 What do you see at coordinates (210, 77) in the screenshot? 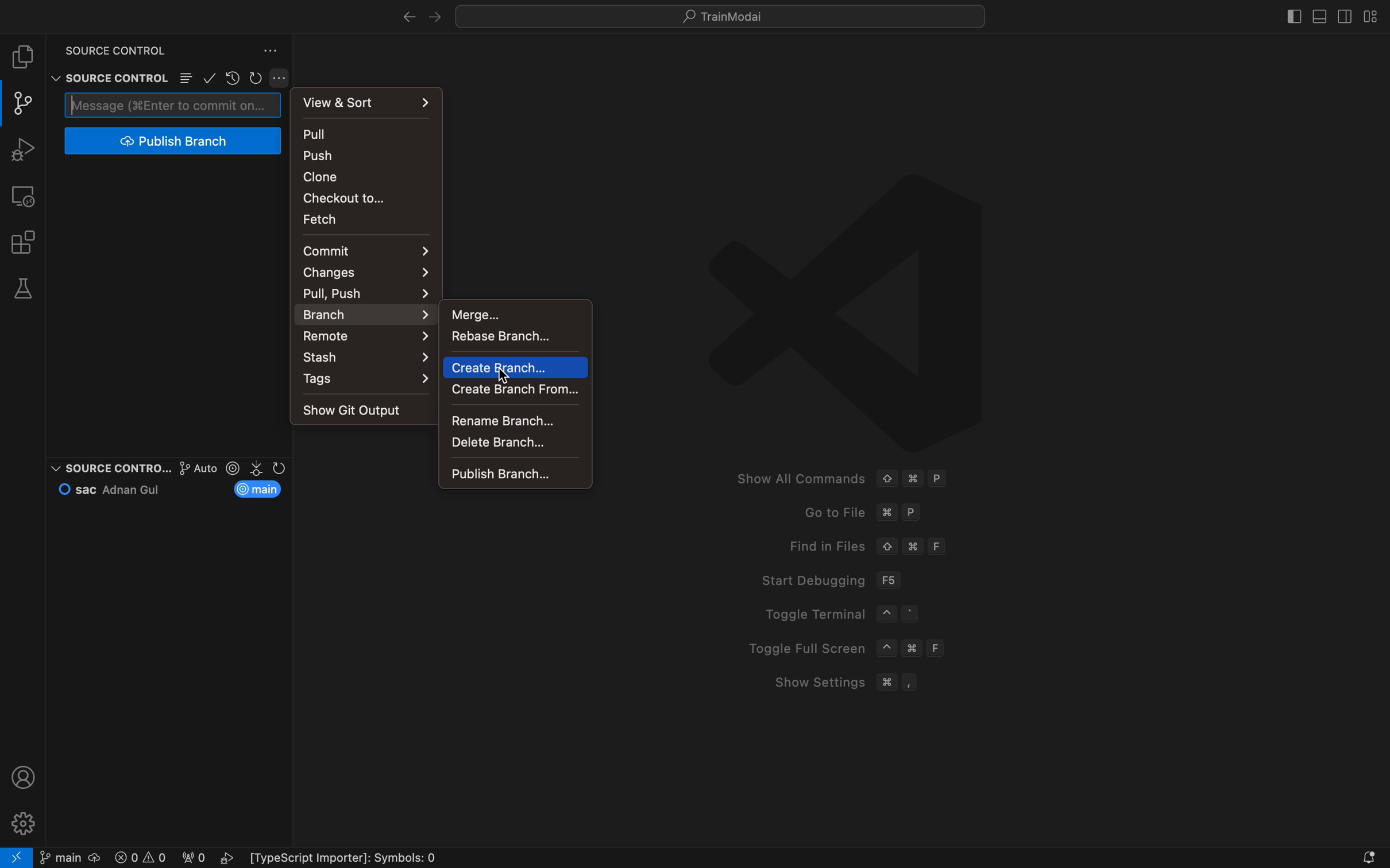
I see `ok` at bounding box center [210, 77].